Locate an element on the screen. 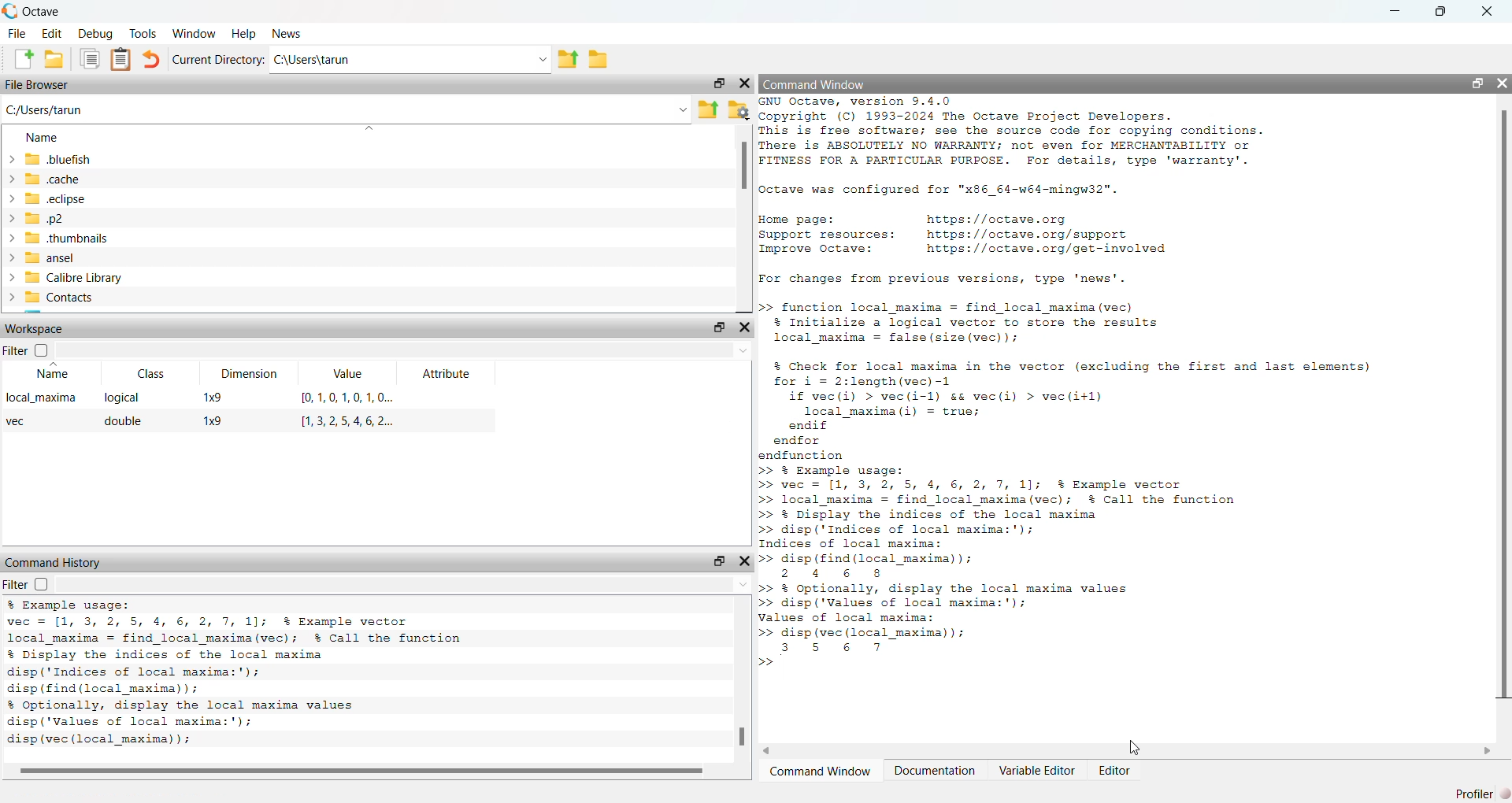 This screenshot has width=1512, height=803. sort is located at coordinates (369, 128).